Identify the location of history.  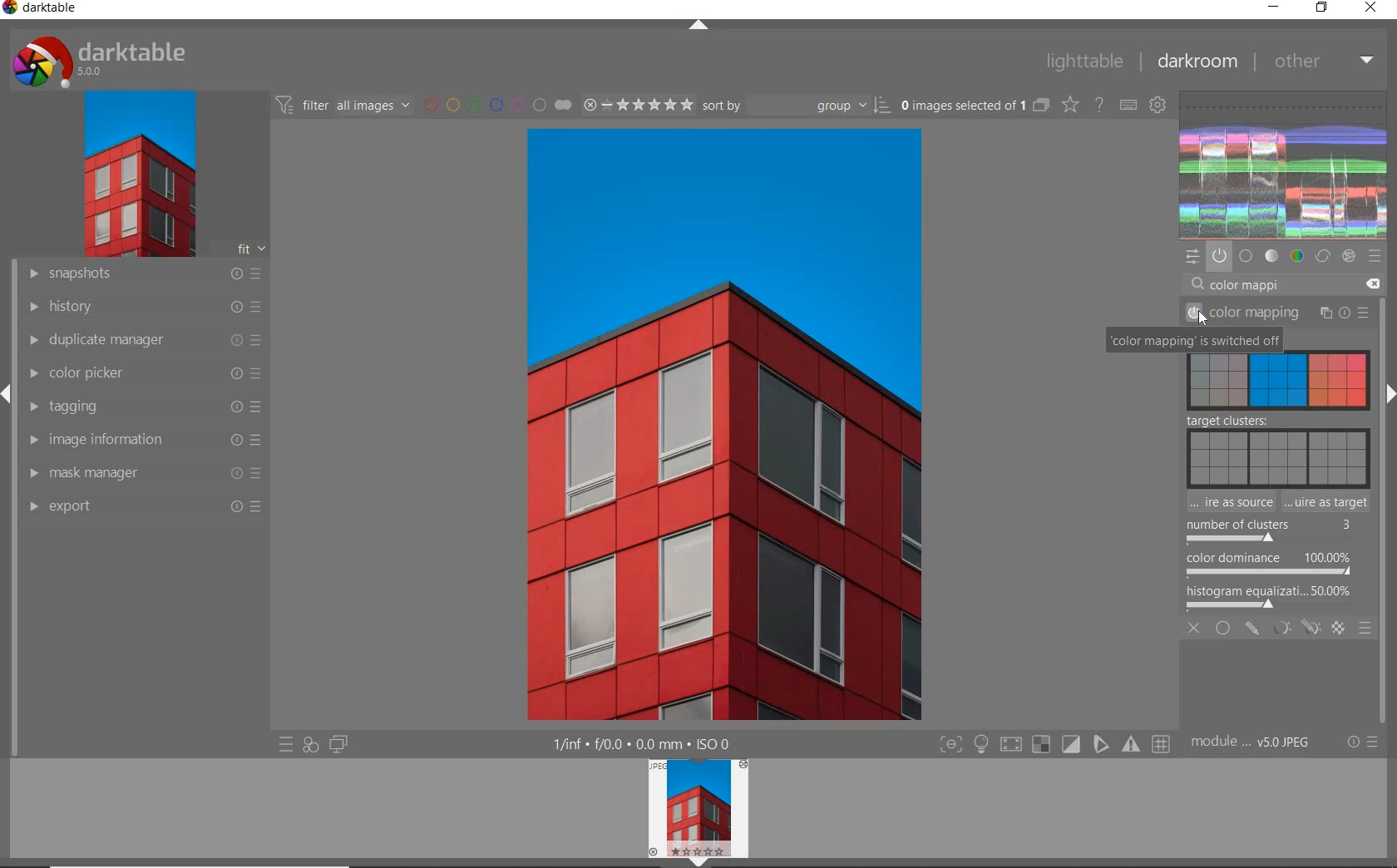
(143, 306).